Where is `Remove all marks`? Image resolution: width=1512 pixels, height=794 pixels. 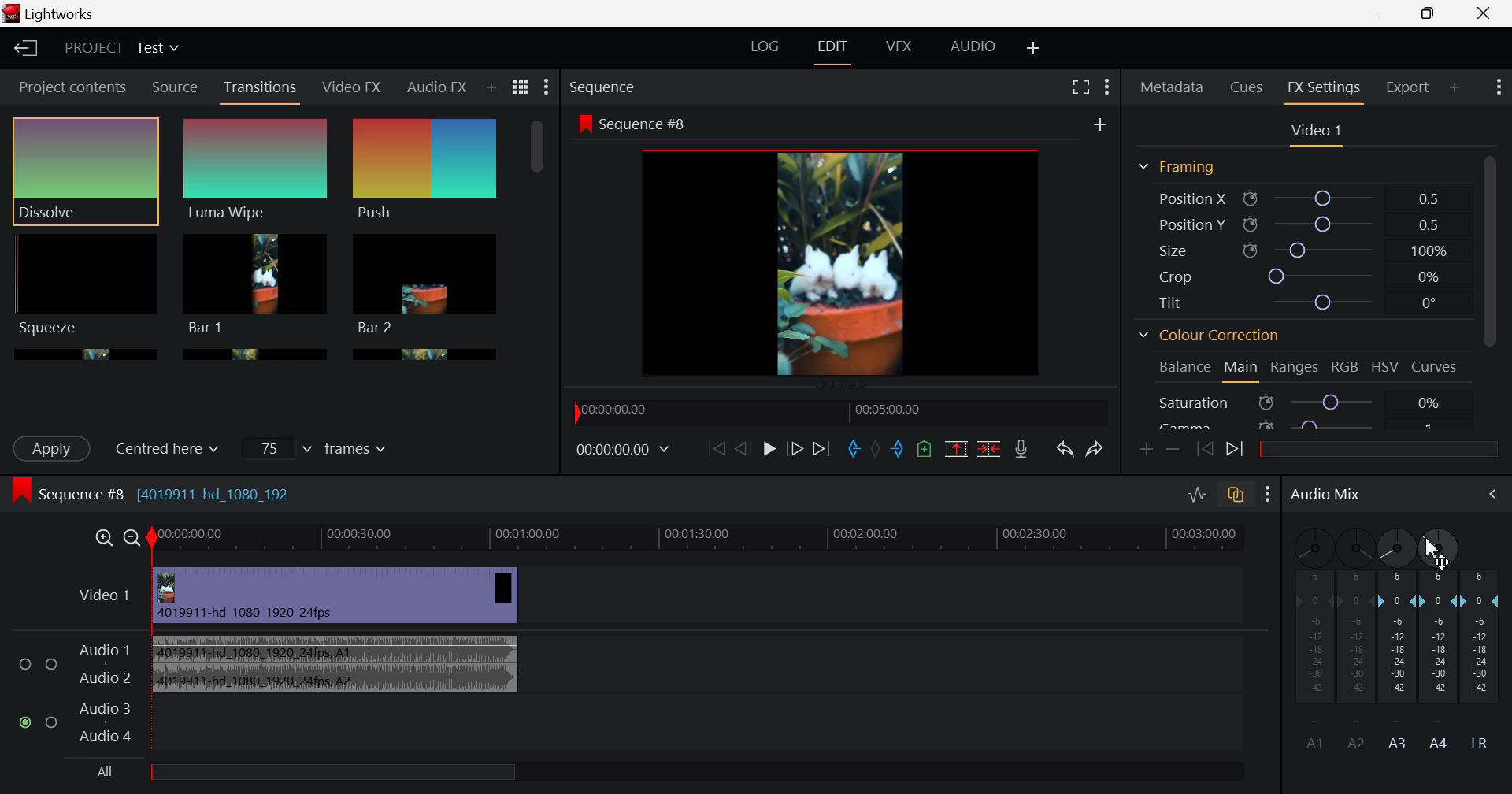 Remove all marks is located at coordinates (875, 449).